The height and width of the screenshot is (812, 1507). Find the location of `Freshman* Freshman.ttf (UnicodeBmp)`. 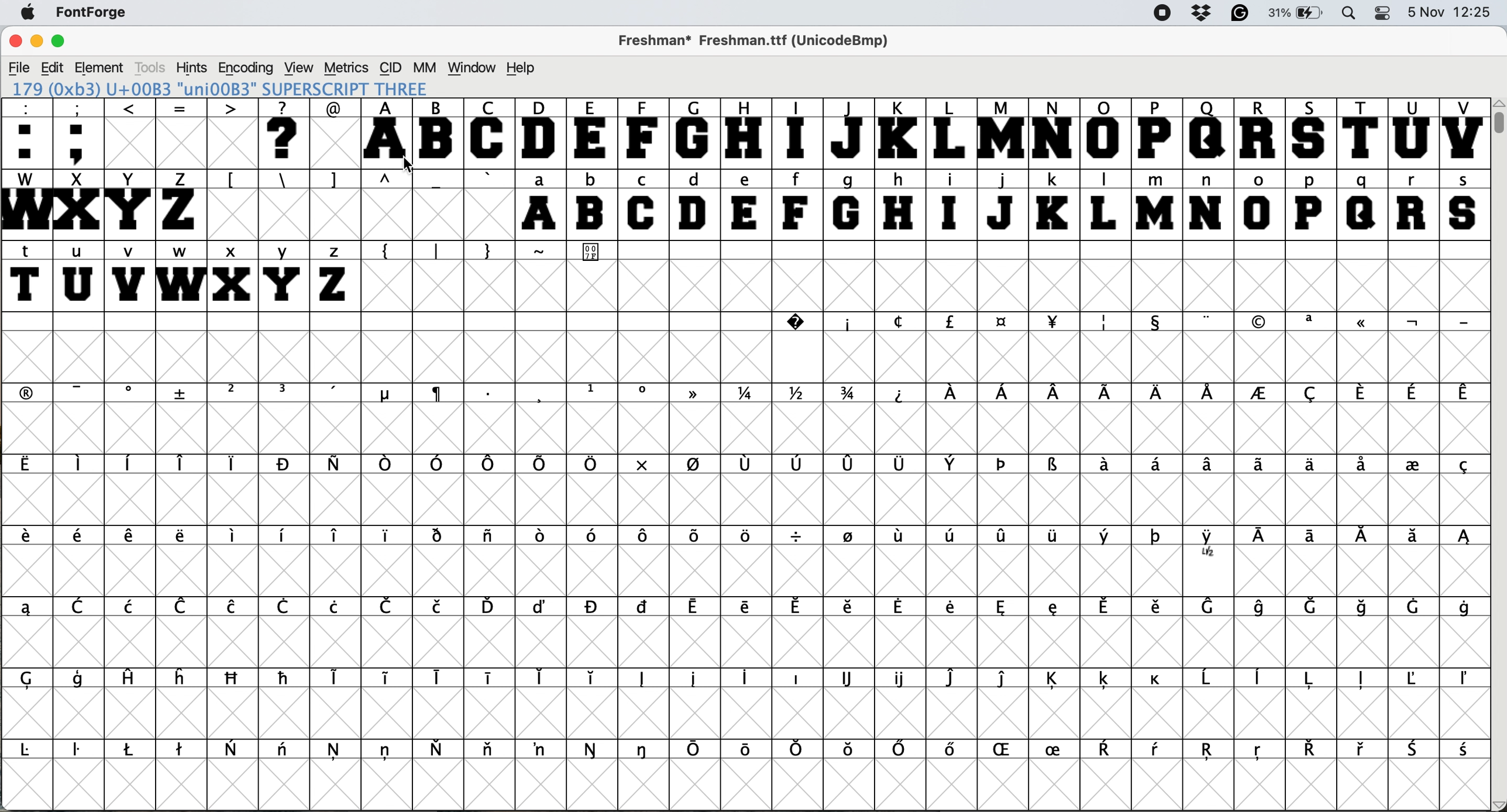

Freshman* Freshman.ttf (UnicodeBmp) is located at coordinates (759, 40).